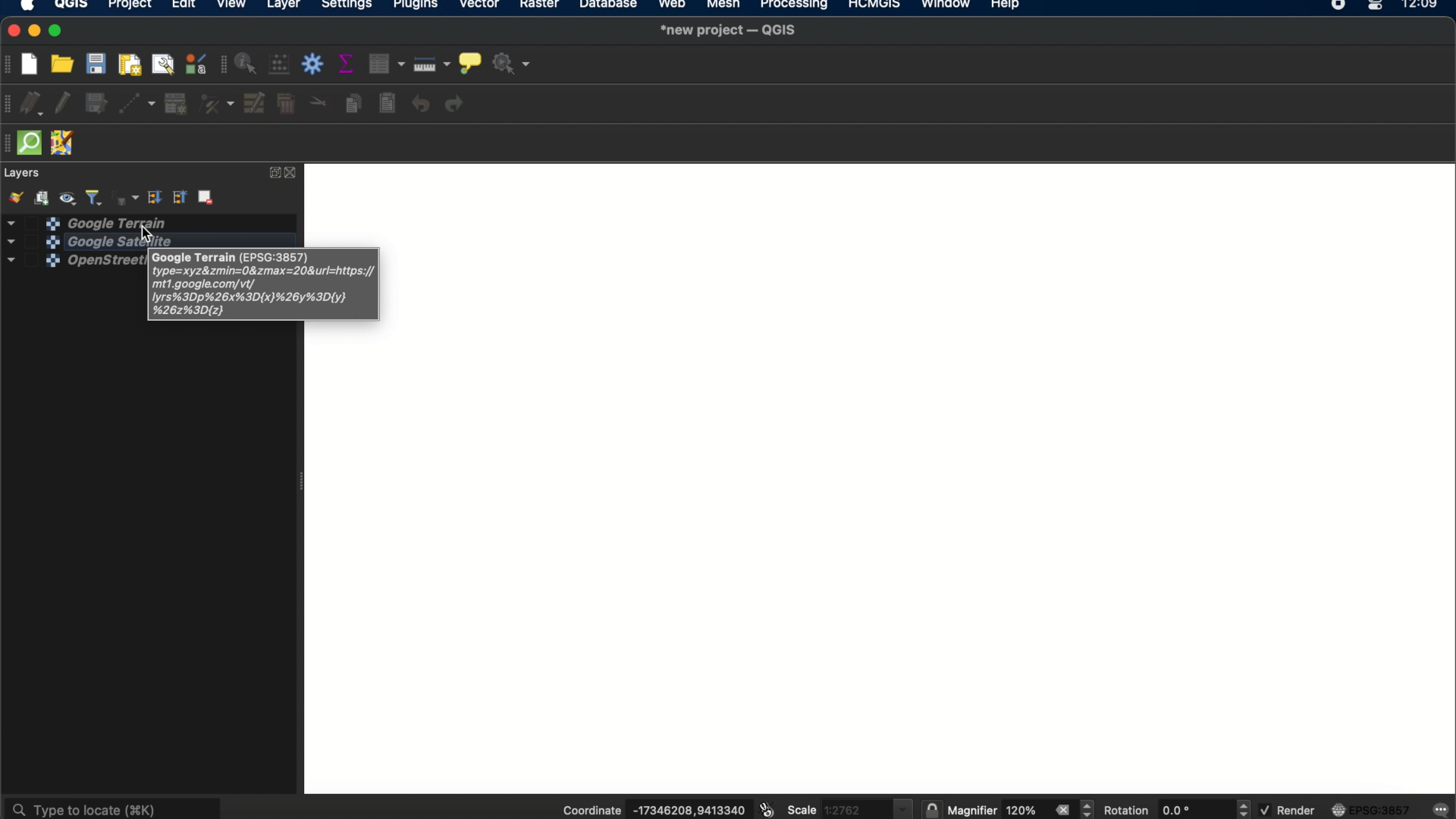  What do you see at coordinates (542, 7) in the screenshot?
I see `raster` at bounding box center [542, 7].